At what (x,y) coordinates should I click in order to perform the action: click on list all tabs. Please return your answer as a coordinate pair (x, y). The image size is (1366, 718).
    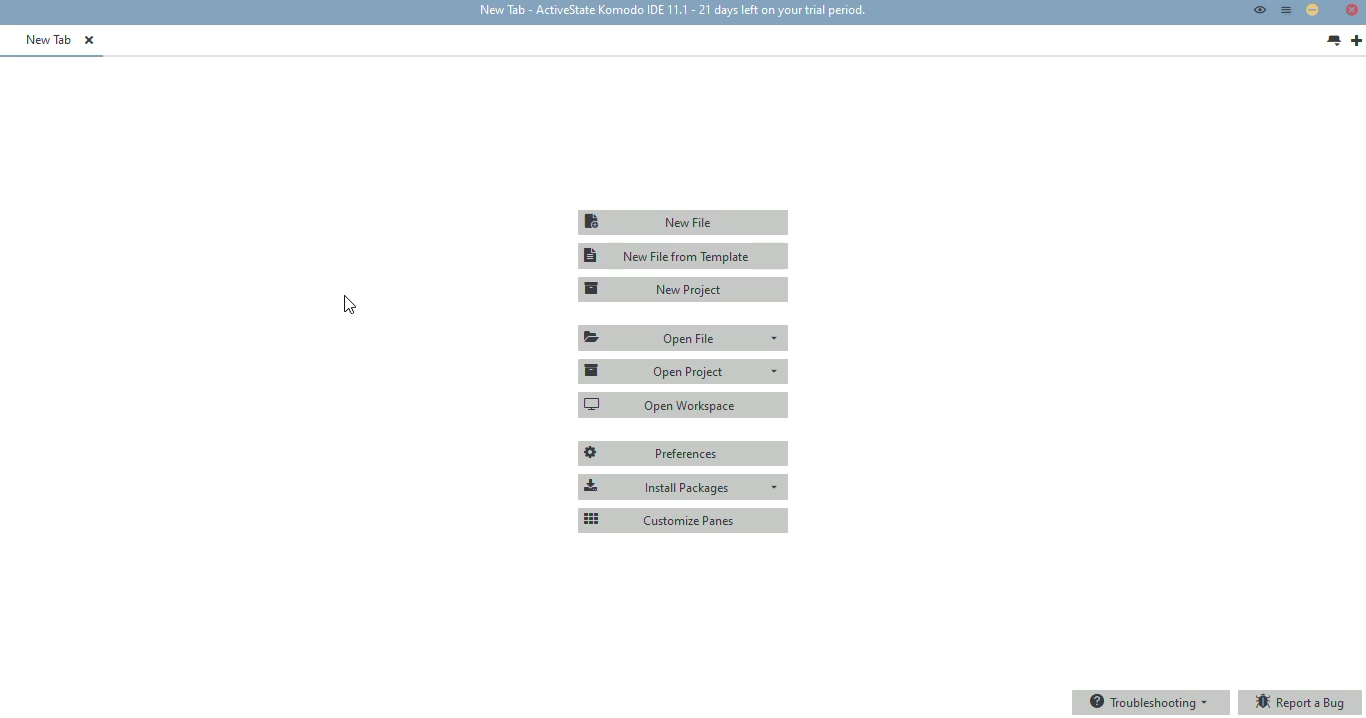
    Looking at the image, I should click on (1333, 41).